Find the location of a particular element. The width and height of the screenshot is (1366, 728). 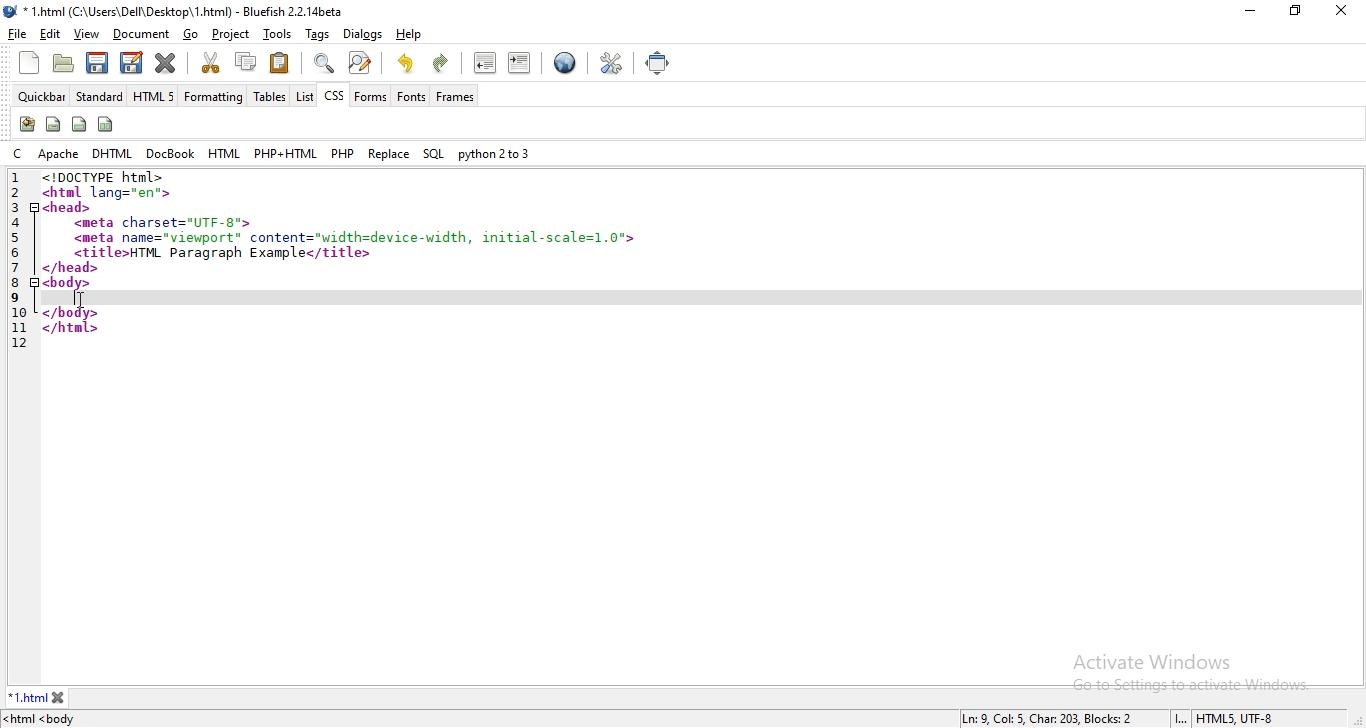

div is located at coordinates (79, 125).